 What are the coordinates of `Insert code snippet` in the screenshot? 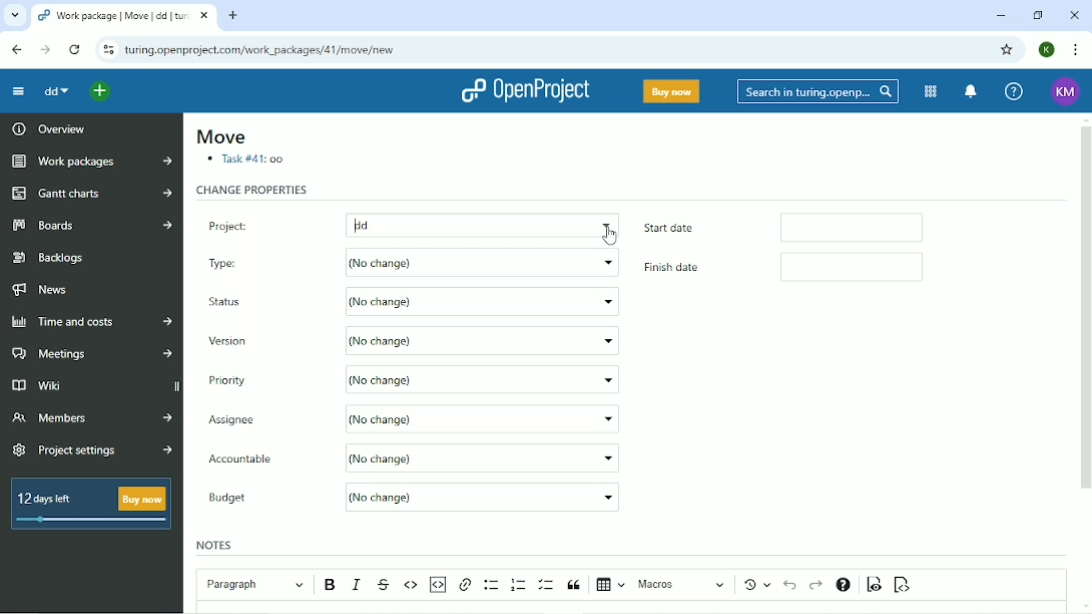 It's located at (437, 584).